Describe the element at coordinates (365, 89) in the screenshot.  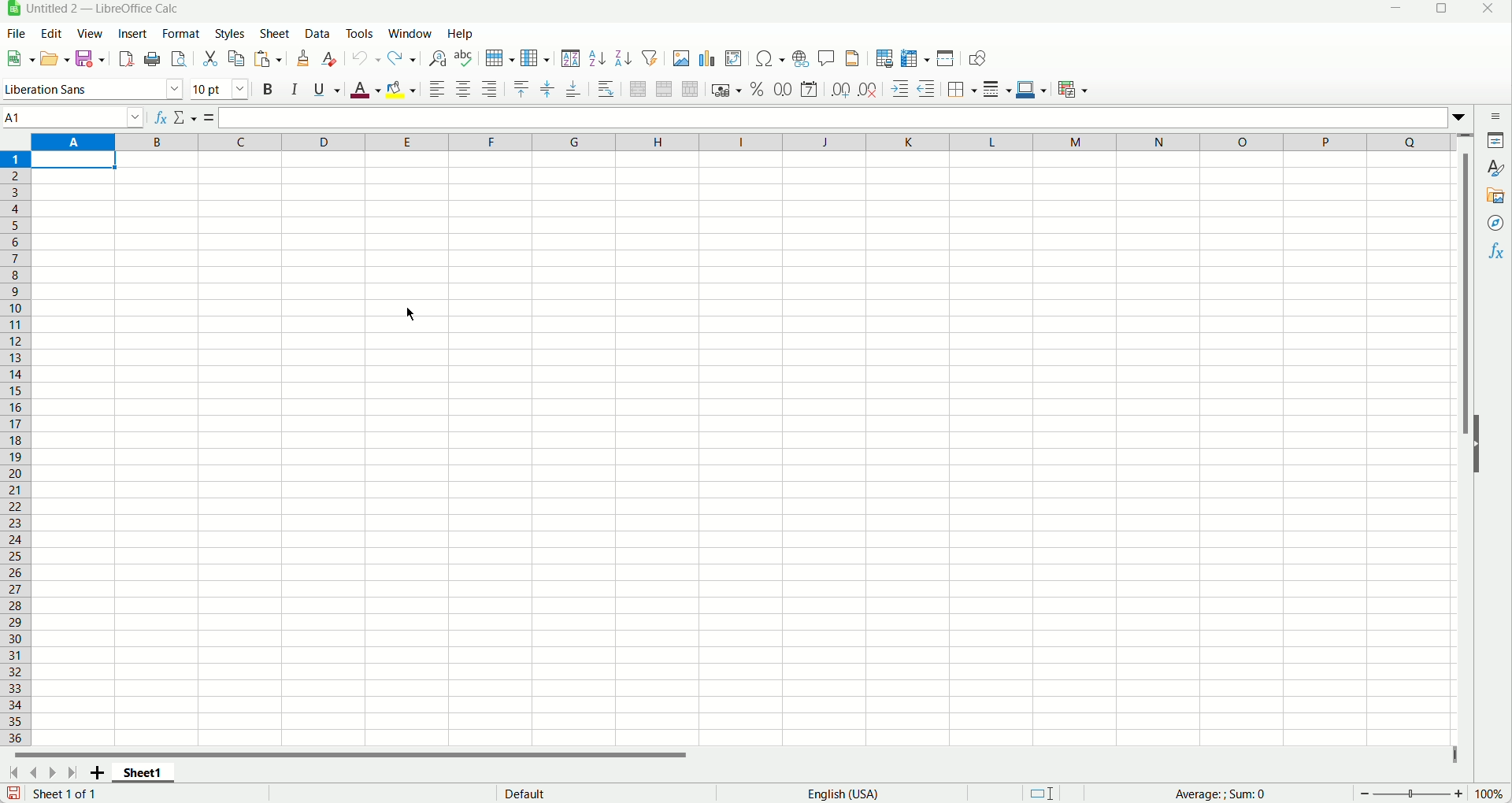
I see `Font color` at that location.